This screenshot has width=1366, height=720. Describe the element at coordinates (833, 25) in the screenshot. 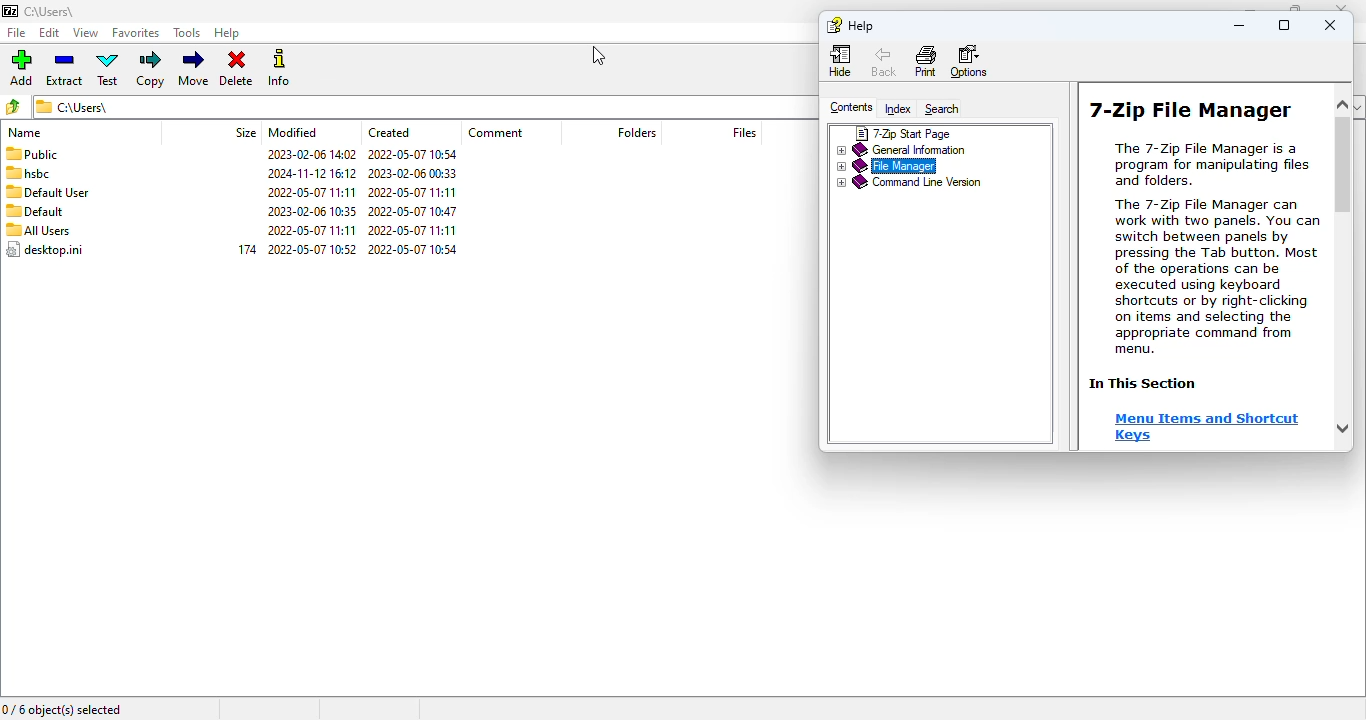

I see `help logo` at that location.